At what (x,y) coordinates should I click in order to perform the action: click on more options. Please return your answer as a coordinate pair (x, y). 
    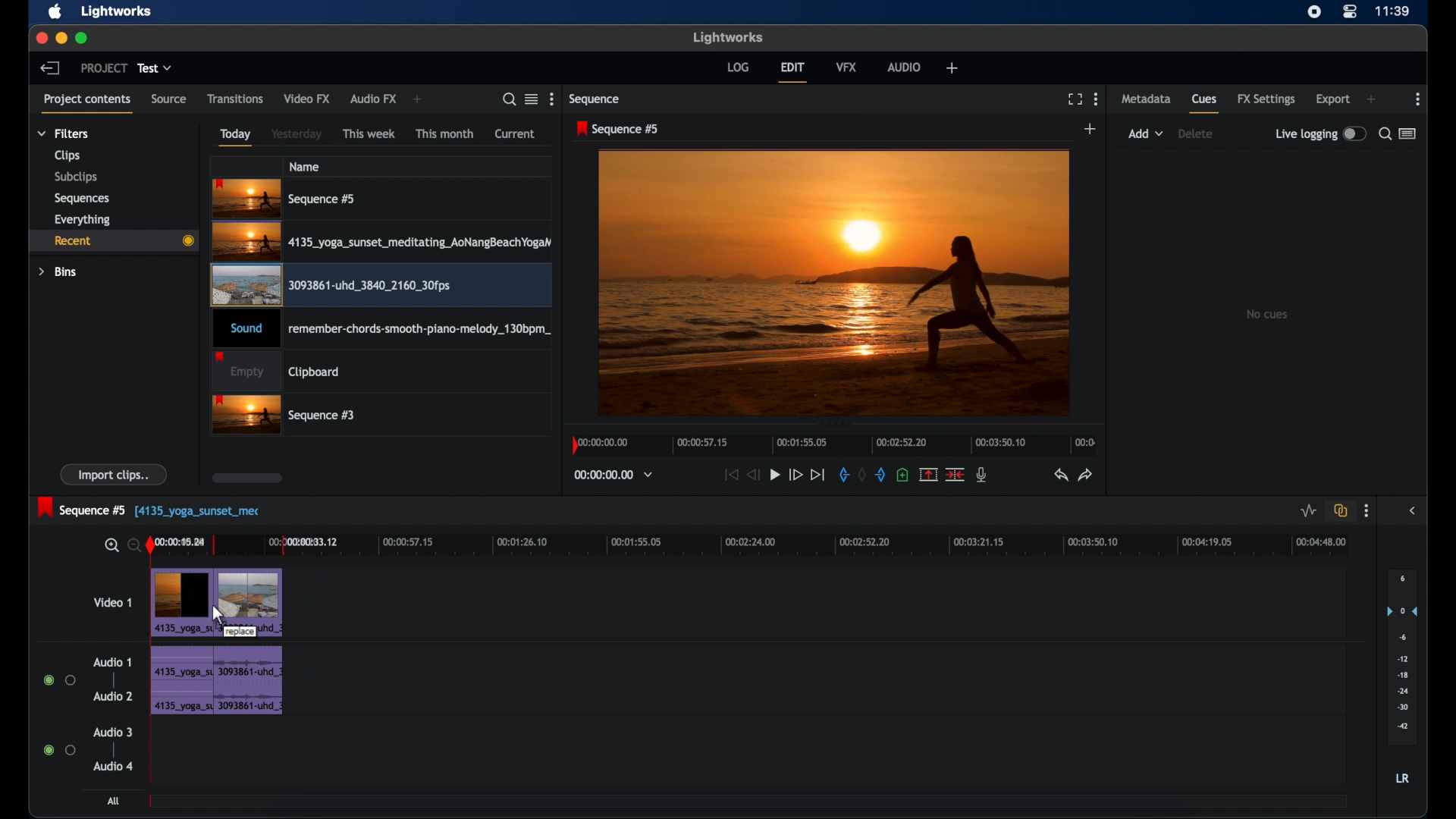
    Looking at the image, I should click on (1367, 512).